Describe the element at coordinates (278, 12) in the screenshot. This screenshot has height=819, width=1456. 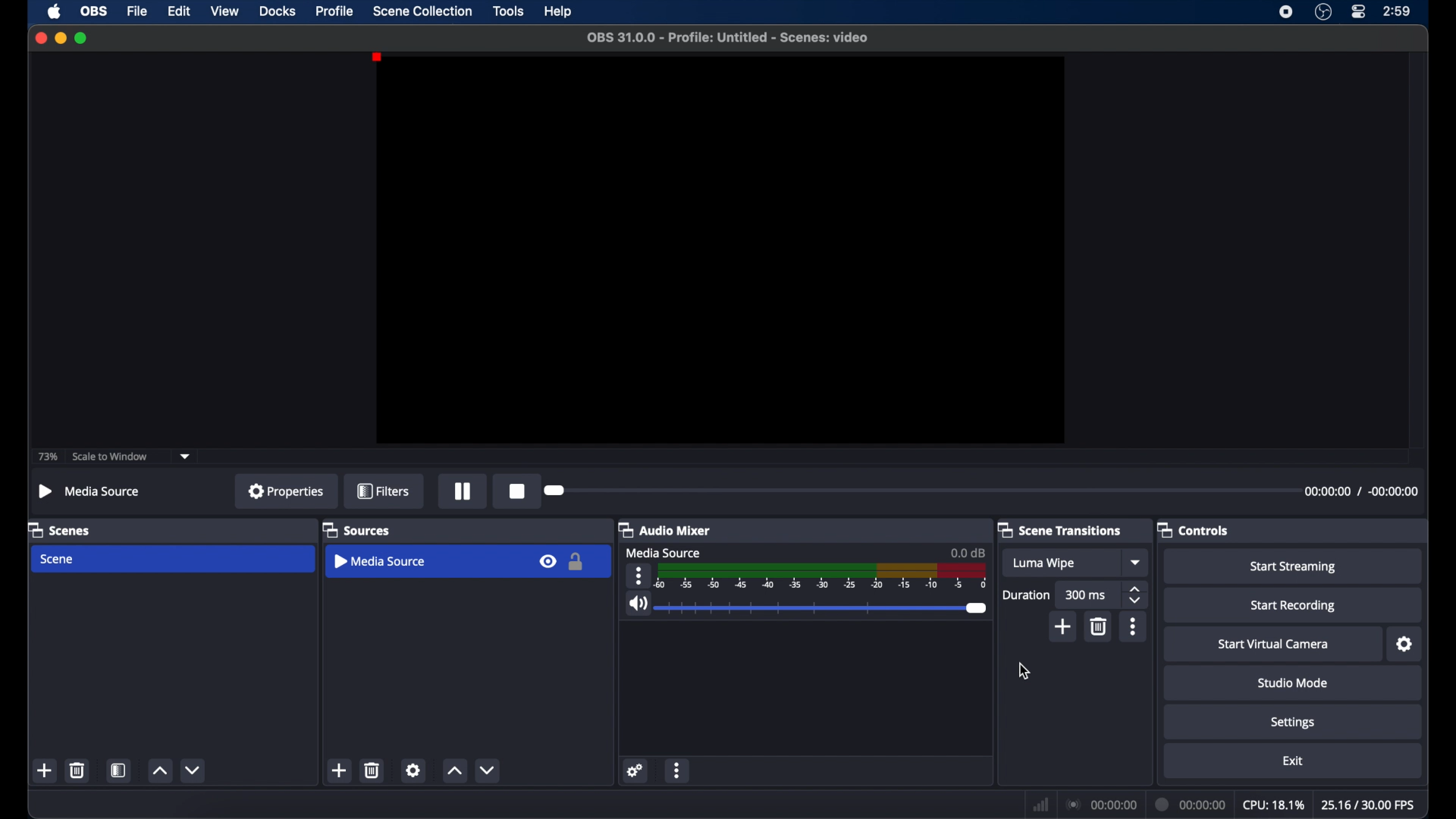
I see `docks` at that location.